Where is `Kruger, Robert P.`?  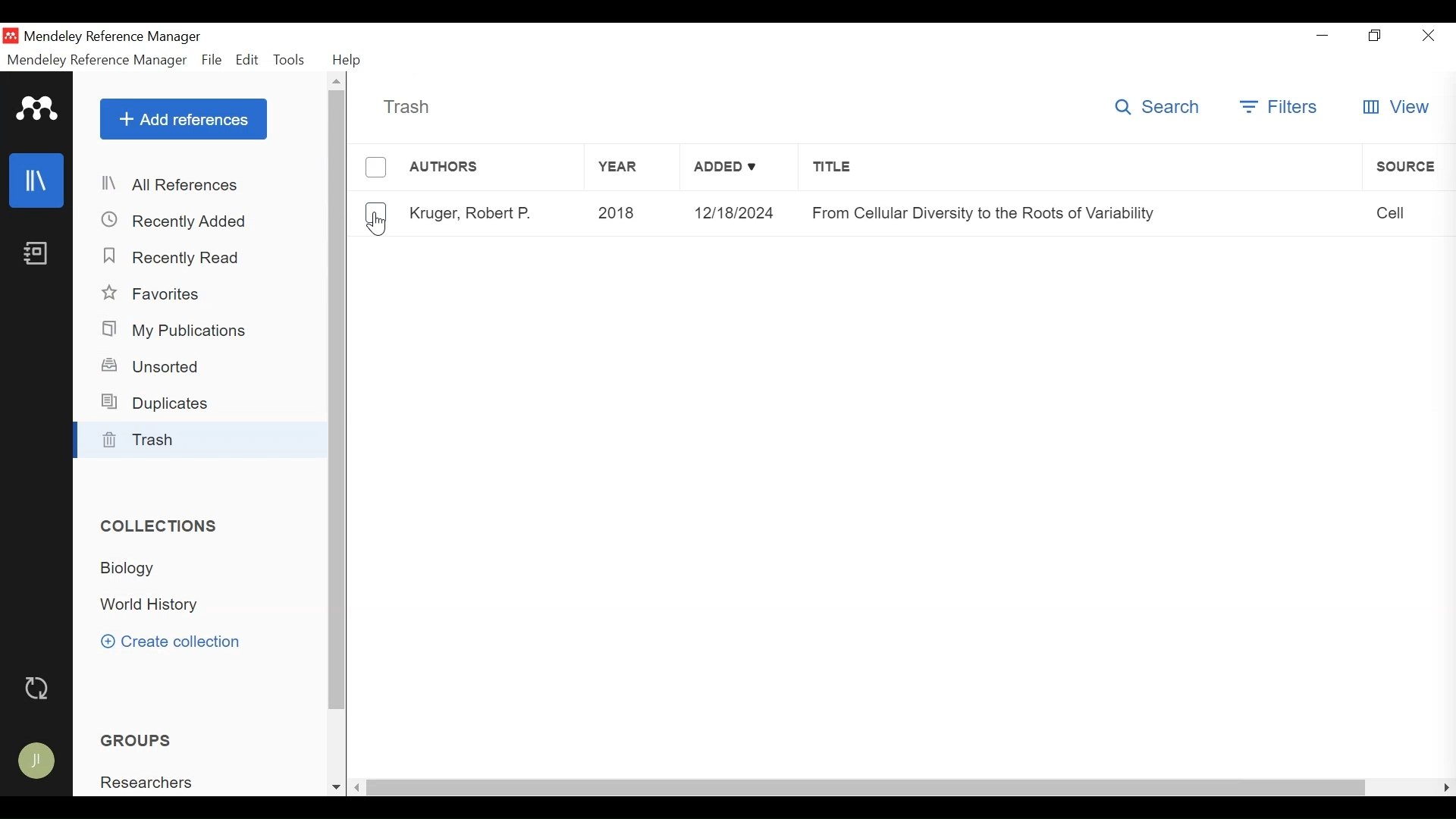 Kruger, Robert P. is located at coordinates (474, 213).